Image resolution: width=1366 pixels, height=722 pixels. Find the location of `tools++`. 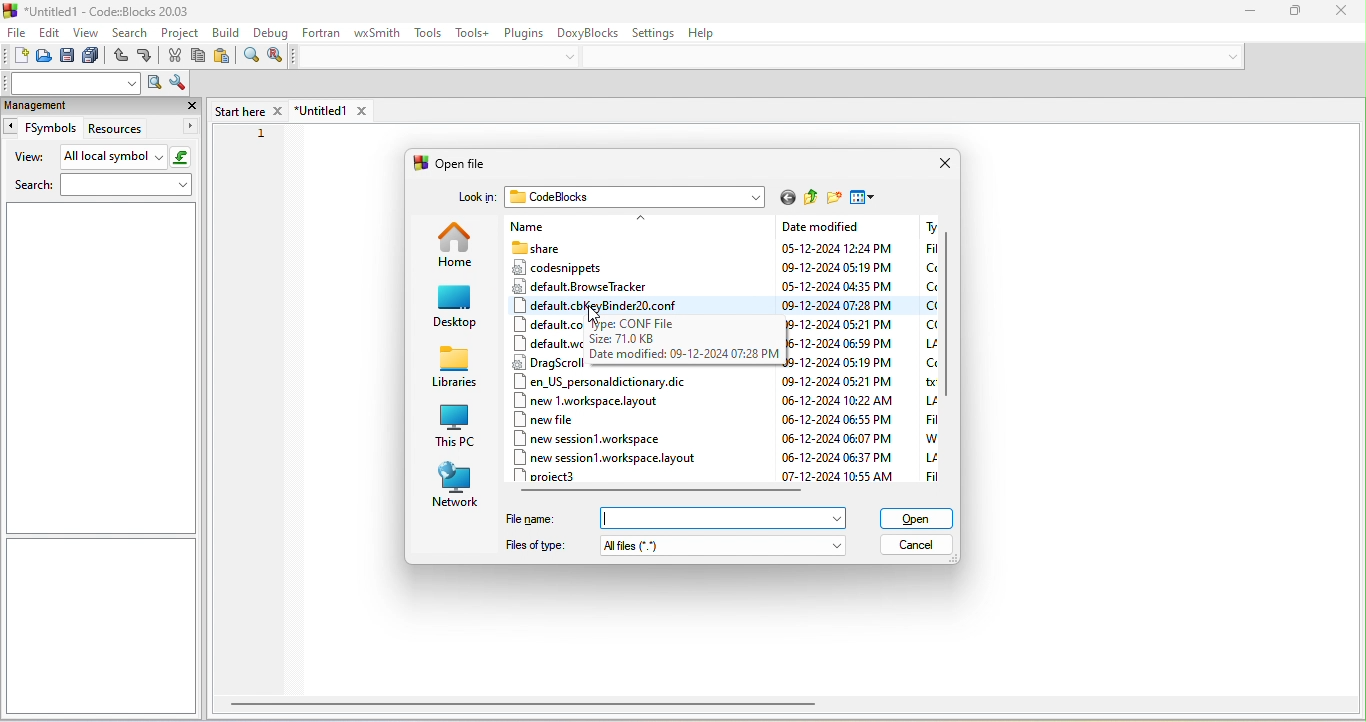

tools++ is located at coordinates (476, 31).